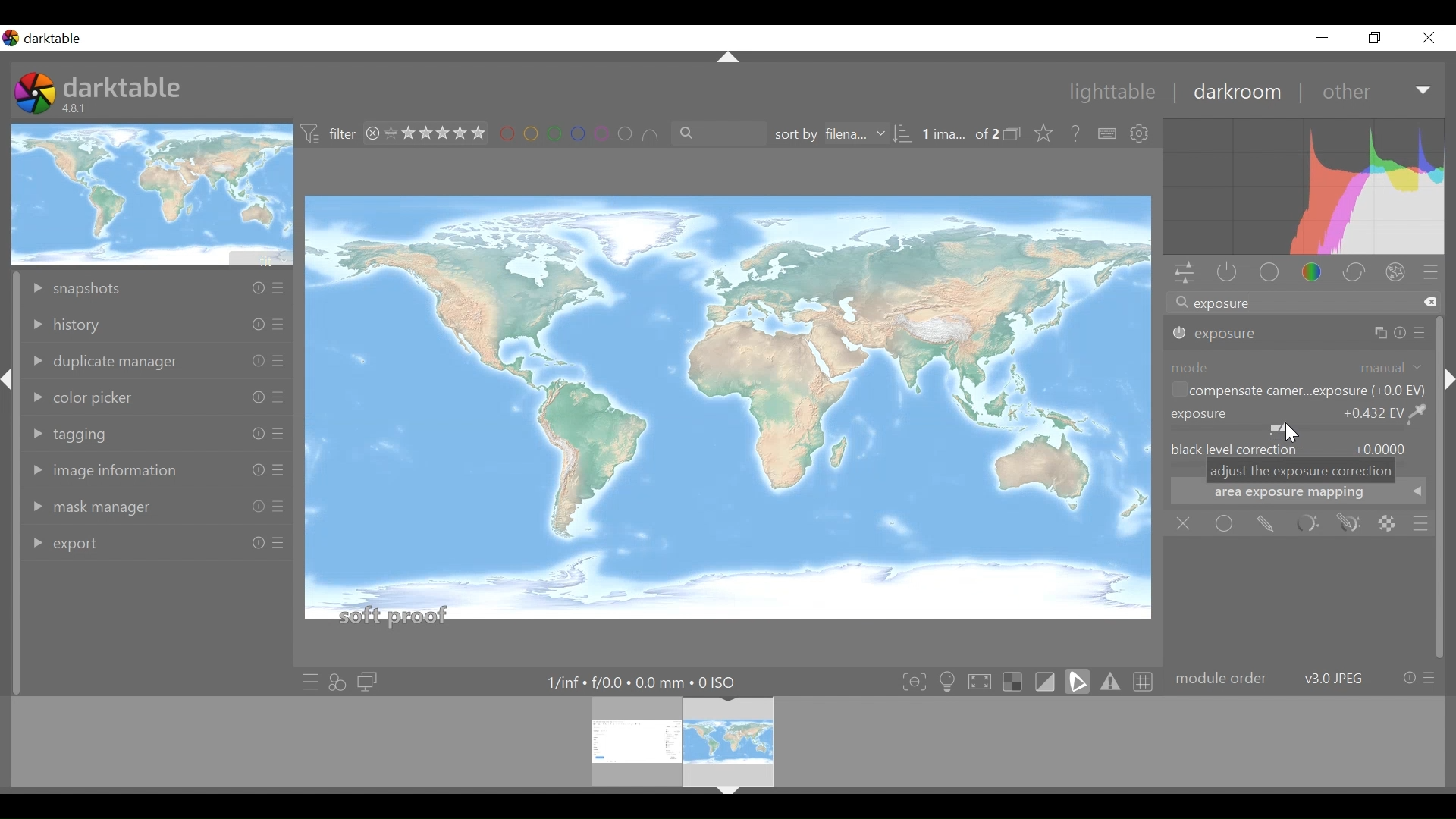 The image size is (1456, 819). Describe the element at coordinates (1288, 433) in the screenshot. I see `Cursor` at that location.